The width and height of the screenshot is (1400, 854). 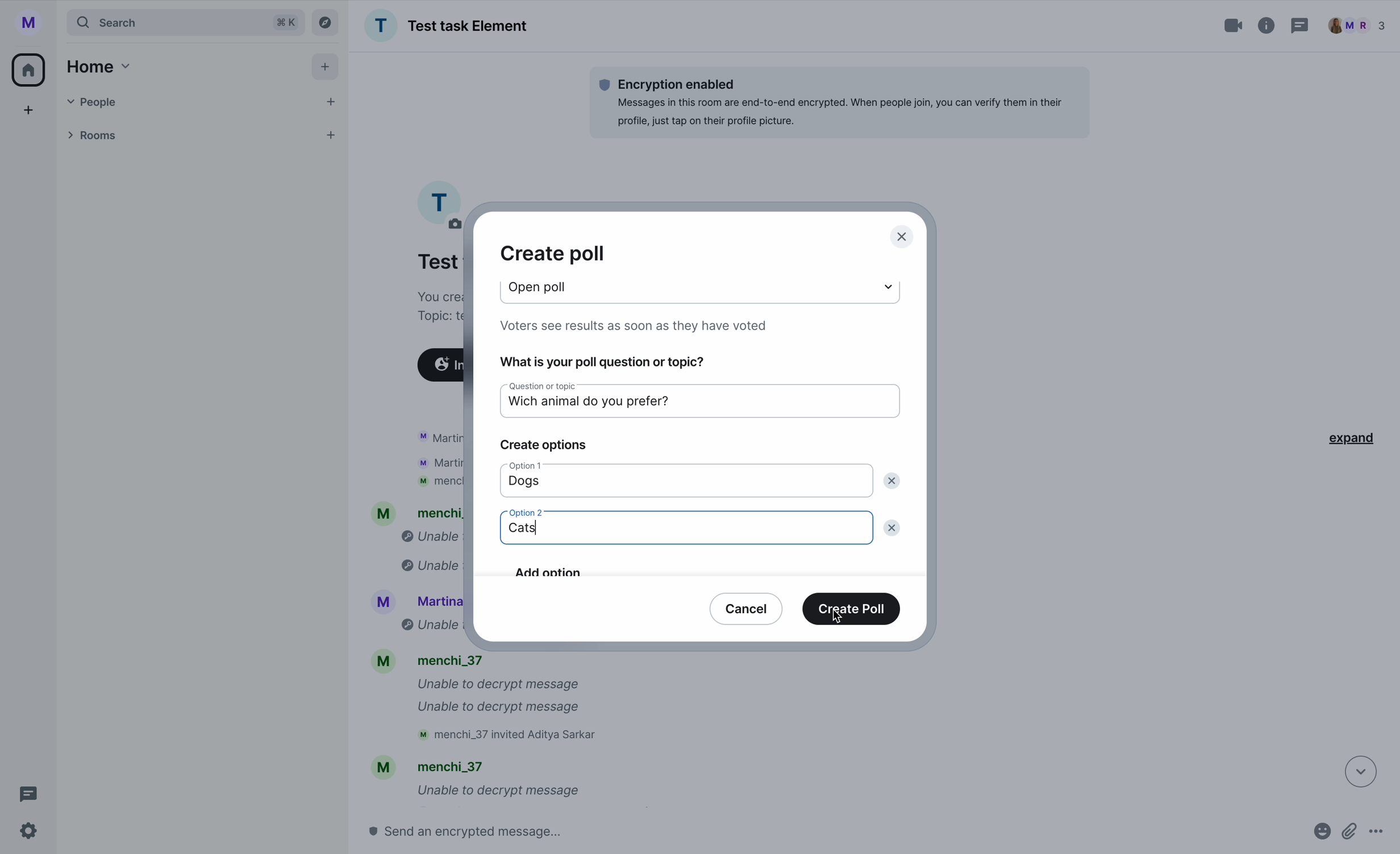 I want to click on video call, so click(x=1235, y=26).